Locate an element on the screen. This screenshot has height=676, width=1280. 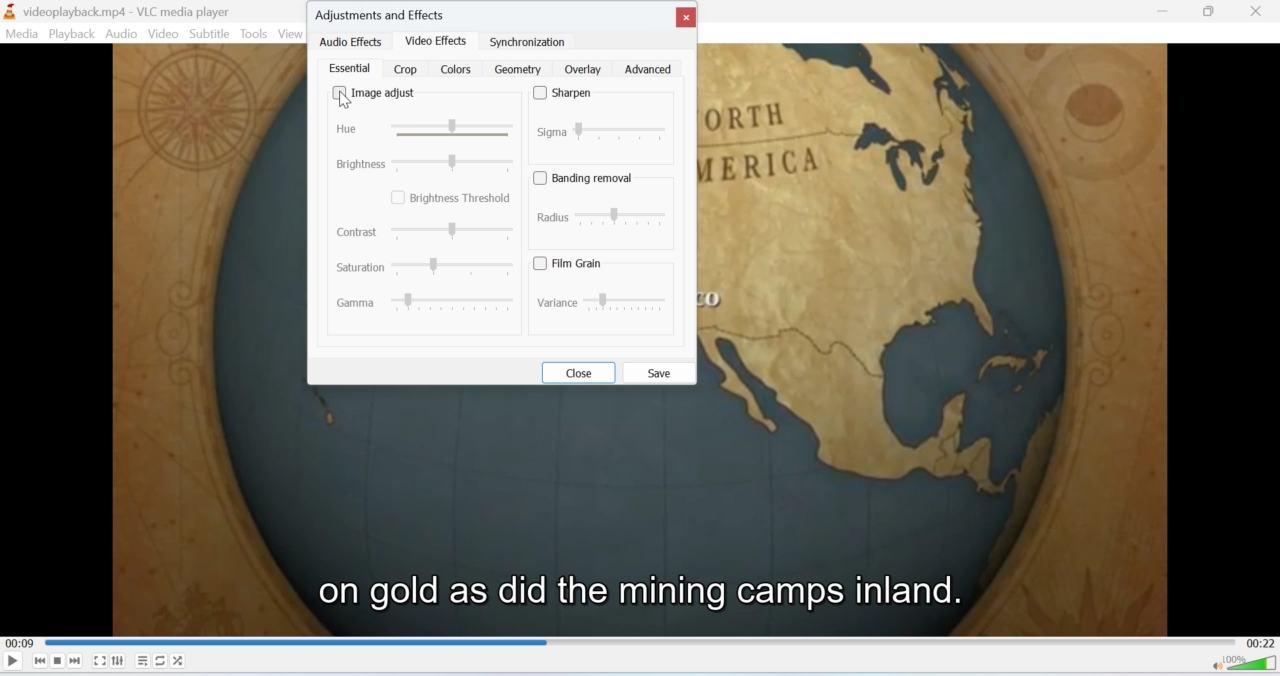
Seek forward is located at coordinates (76, 660).